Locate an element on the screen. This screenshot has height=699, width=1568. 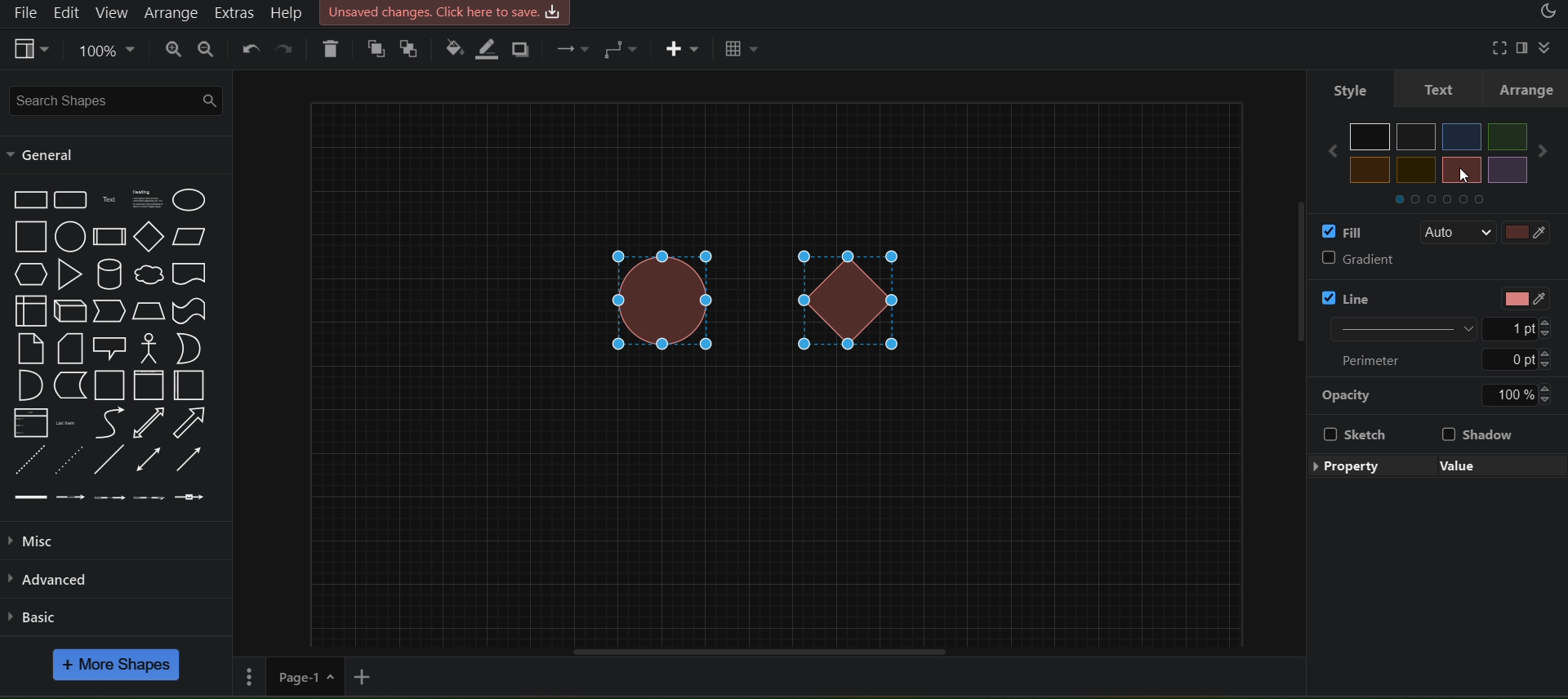
more shapes is located at coordinates (113, 664).